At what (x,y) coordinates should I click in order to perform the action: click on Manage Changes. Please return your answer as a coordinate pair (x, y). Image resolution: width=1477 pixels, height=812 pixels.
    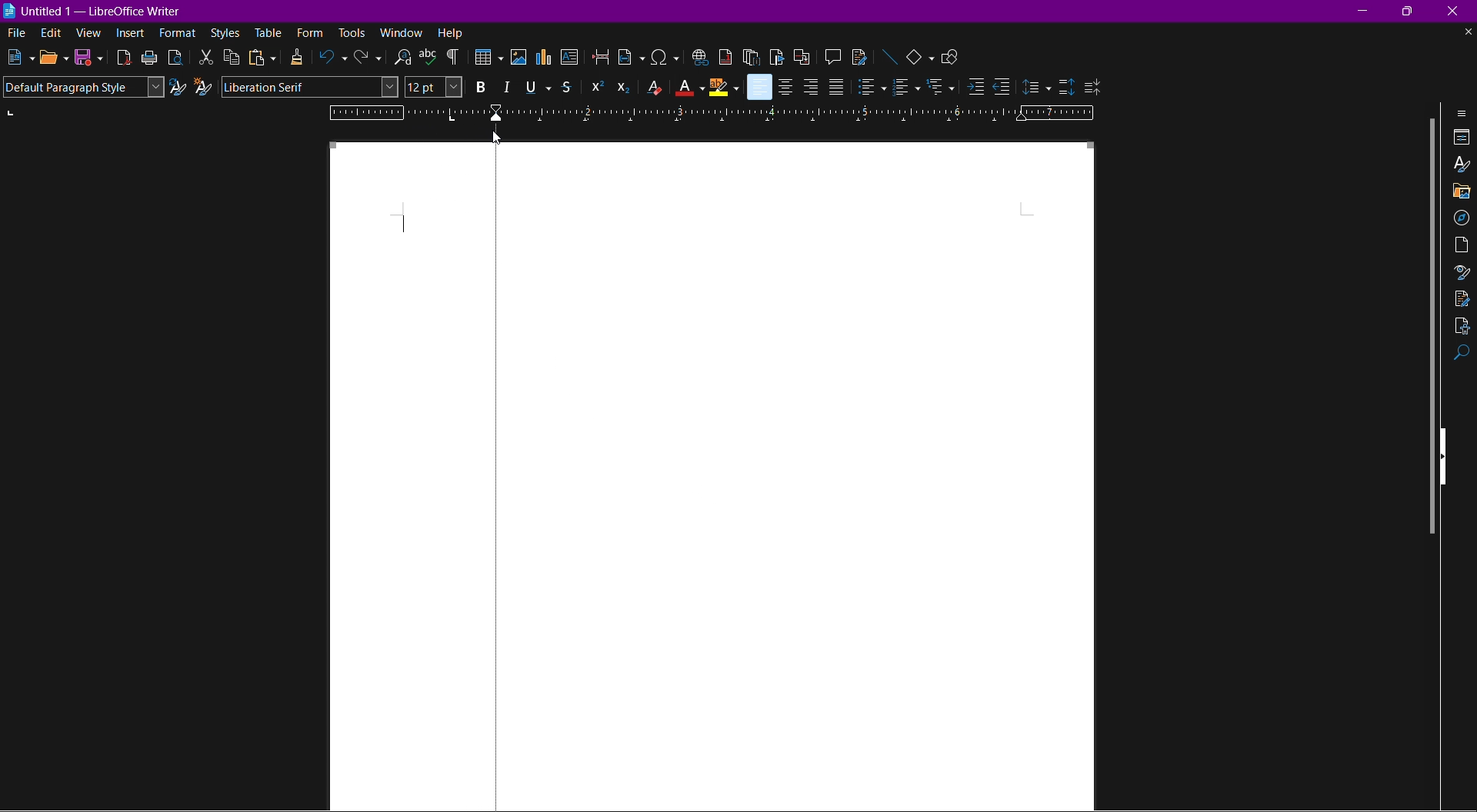
    Looking at the image, I should click on (1462, 298).